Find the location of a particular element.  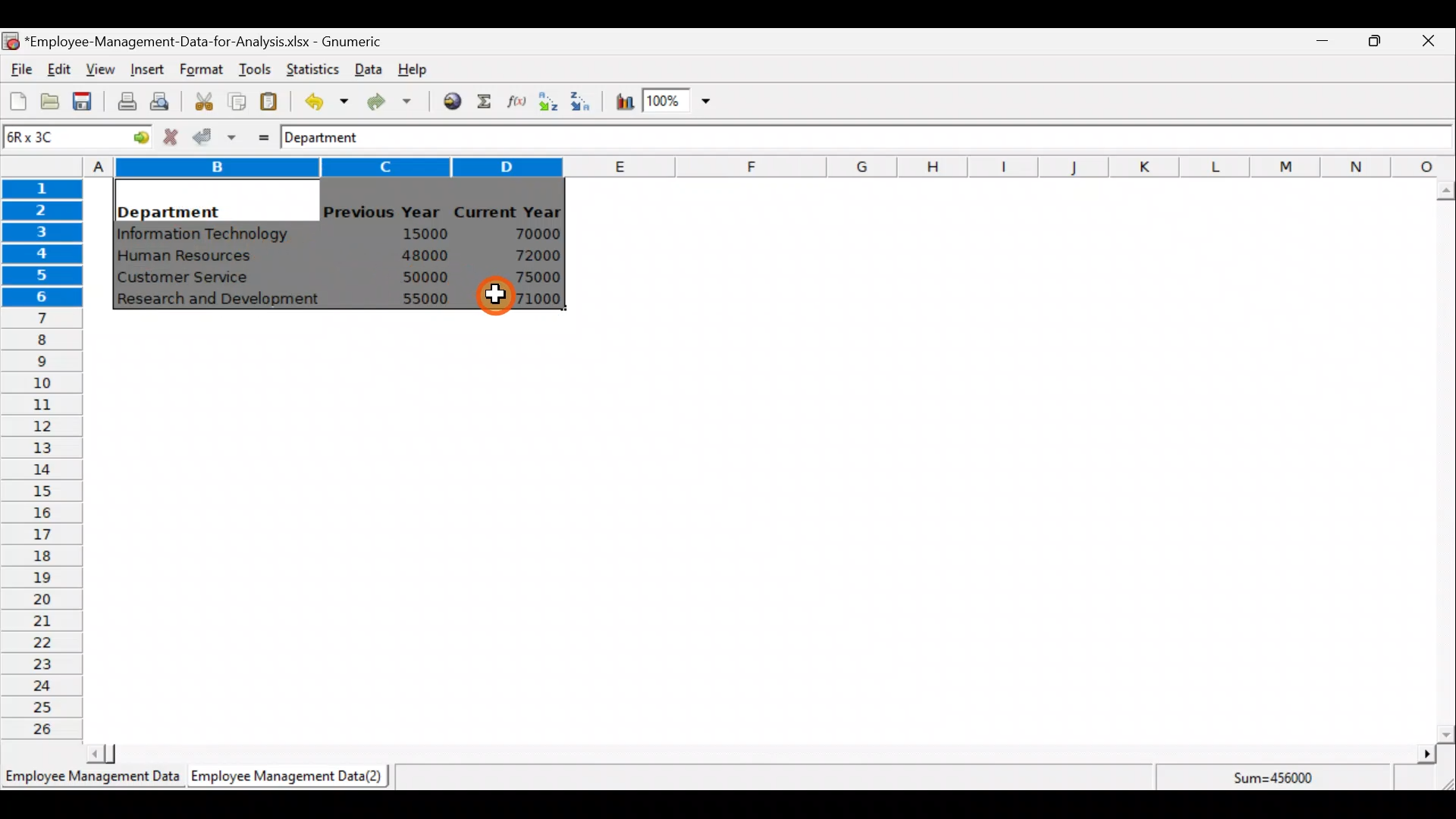

Cancel change is located at coordinates (173, 136).